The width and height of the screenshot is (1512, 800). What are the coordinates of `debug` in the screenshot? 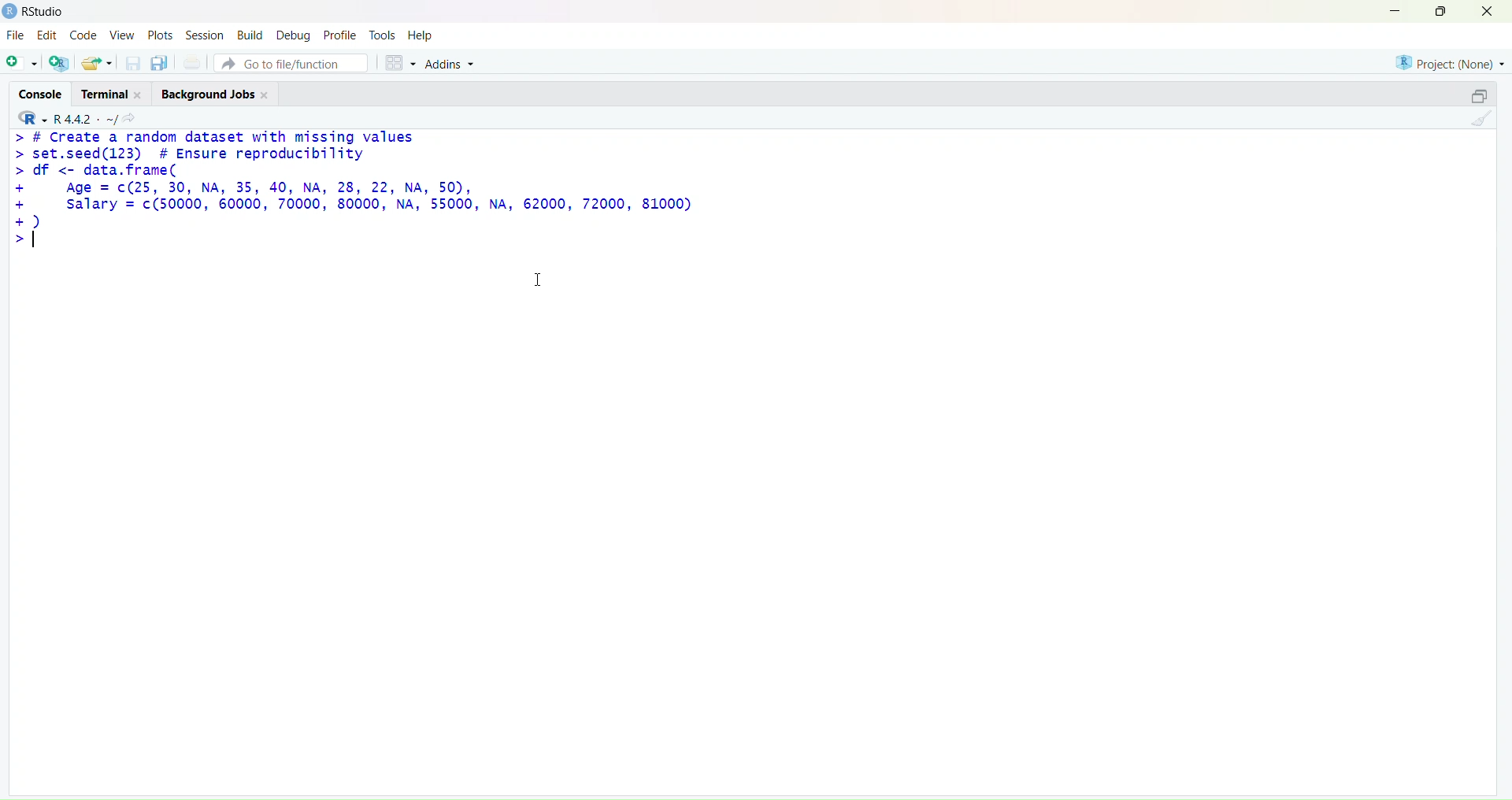 It's located at (291, 36).